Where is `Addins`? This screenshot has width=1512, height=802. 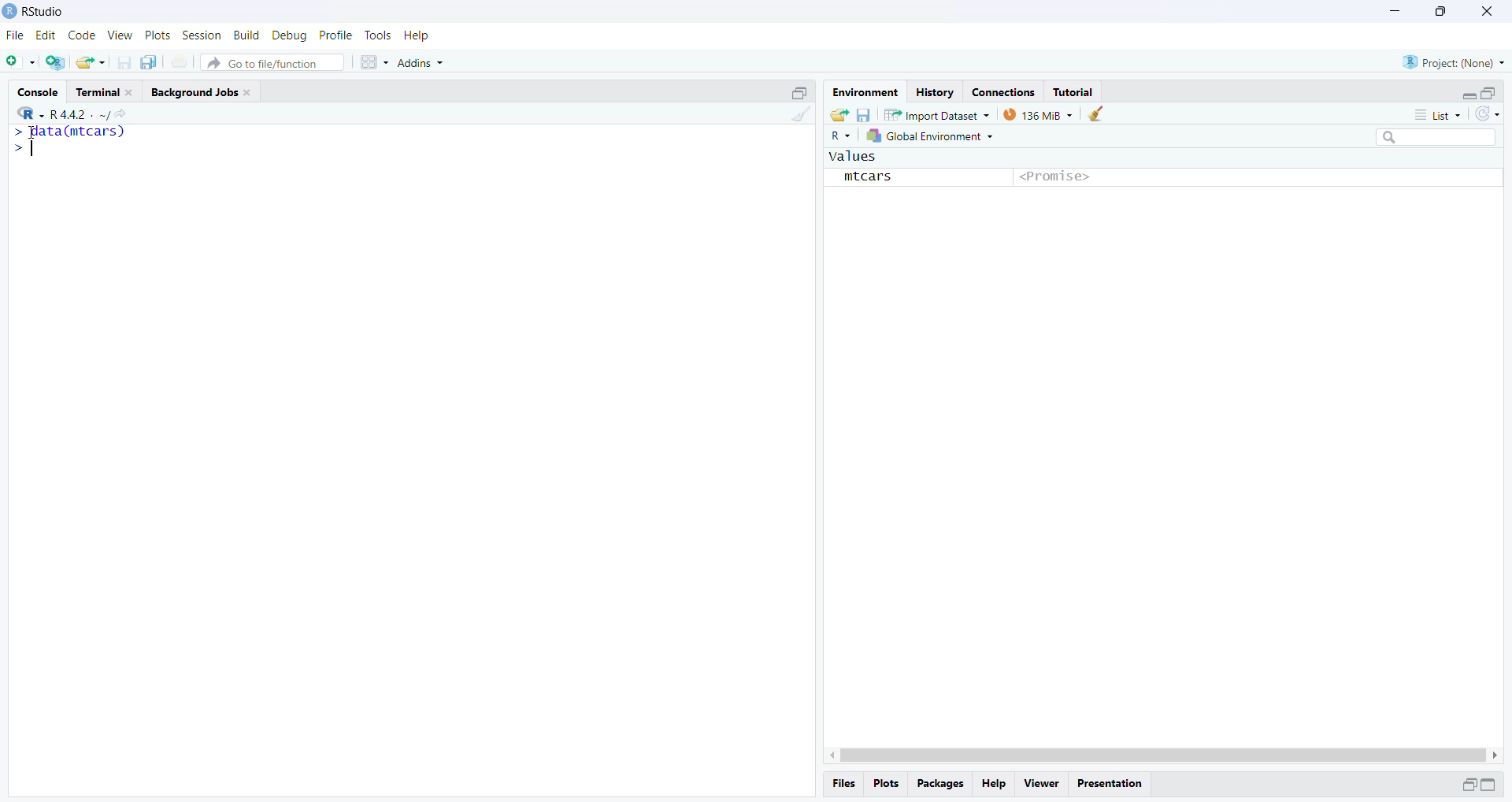
Addins is located at coordinates (425, 59).